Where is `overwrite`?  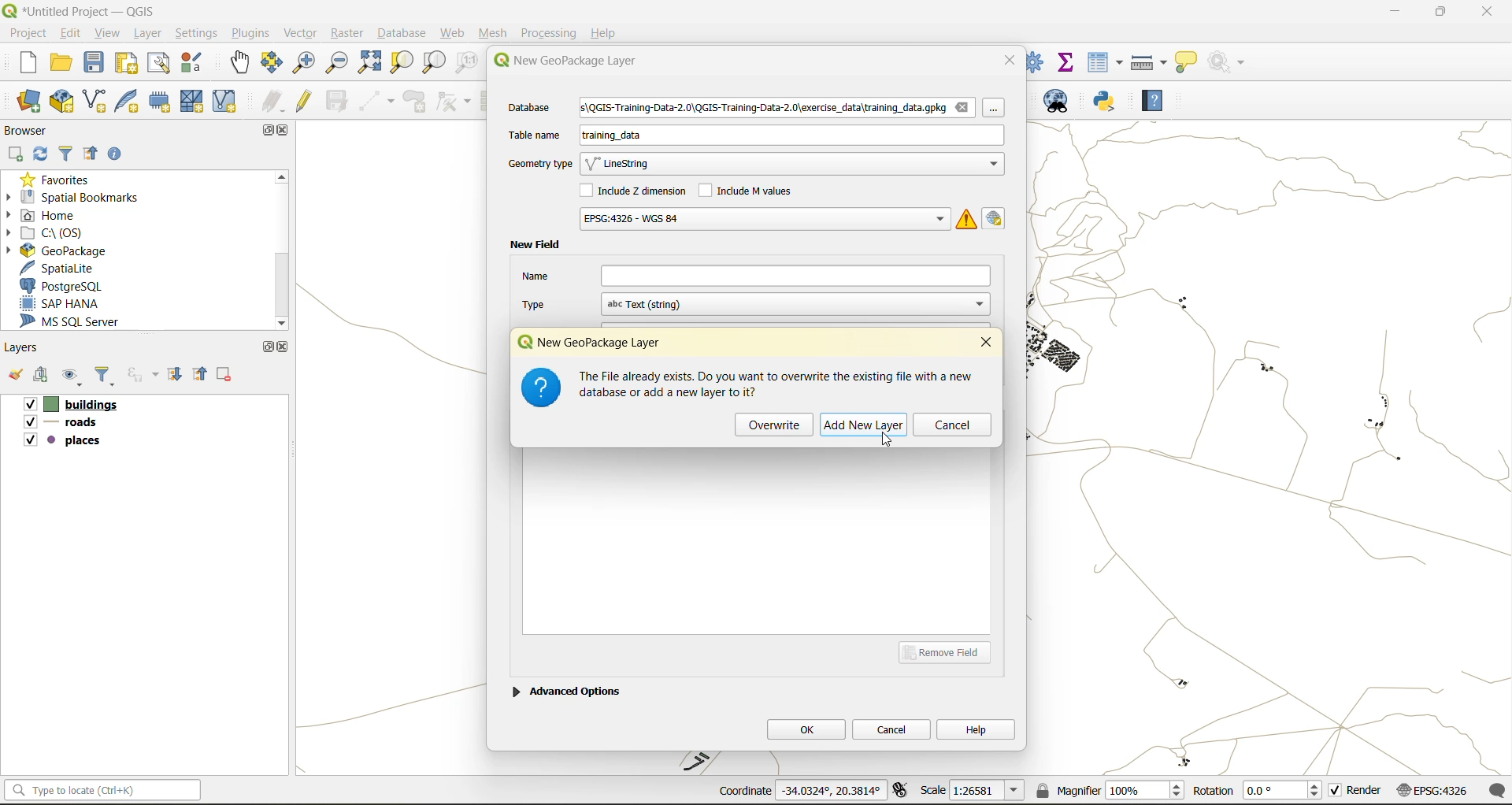 overwrite is located at coordinates (775, 425).